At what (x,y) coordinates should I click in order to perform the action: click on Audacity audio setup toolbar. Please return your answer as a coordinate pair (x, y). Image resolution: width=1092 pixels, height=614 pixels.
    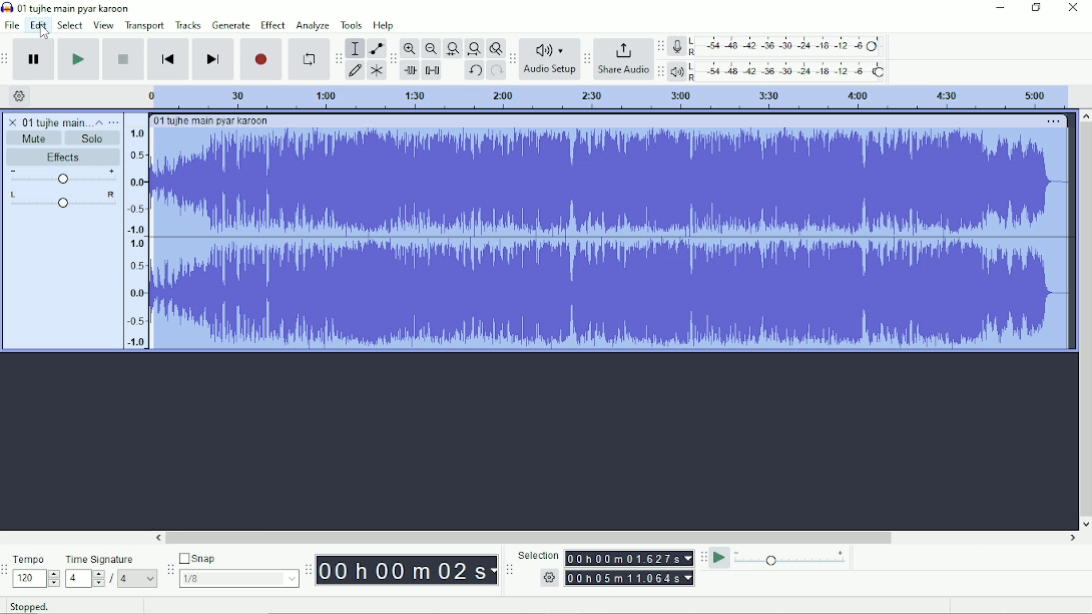
    Looking at the image, I should click on (512, 59).